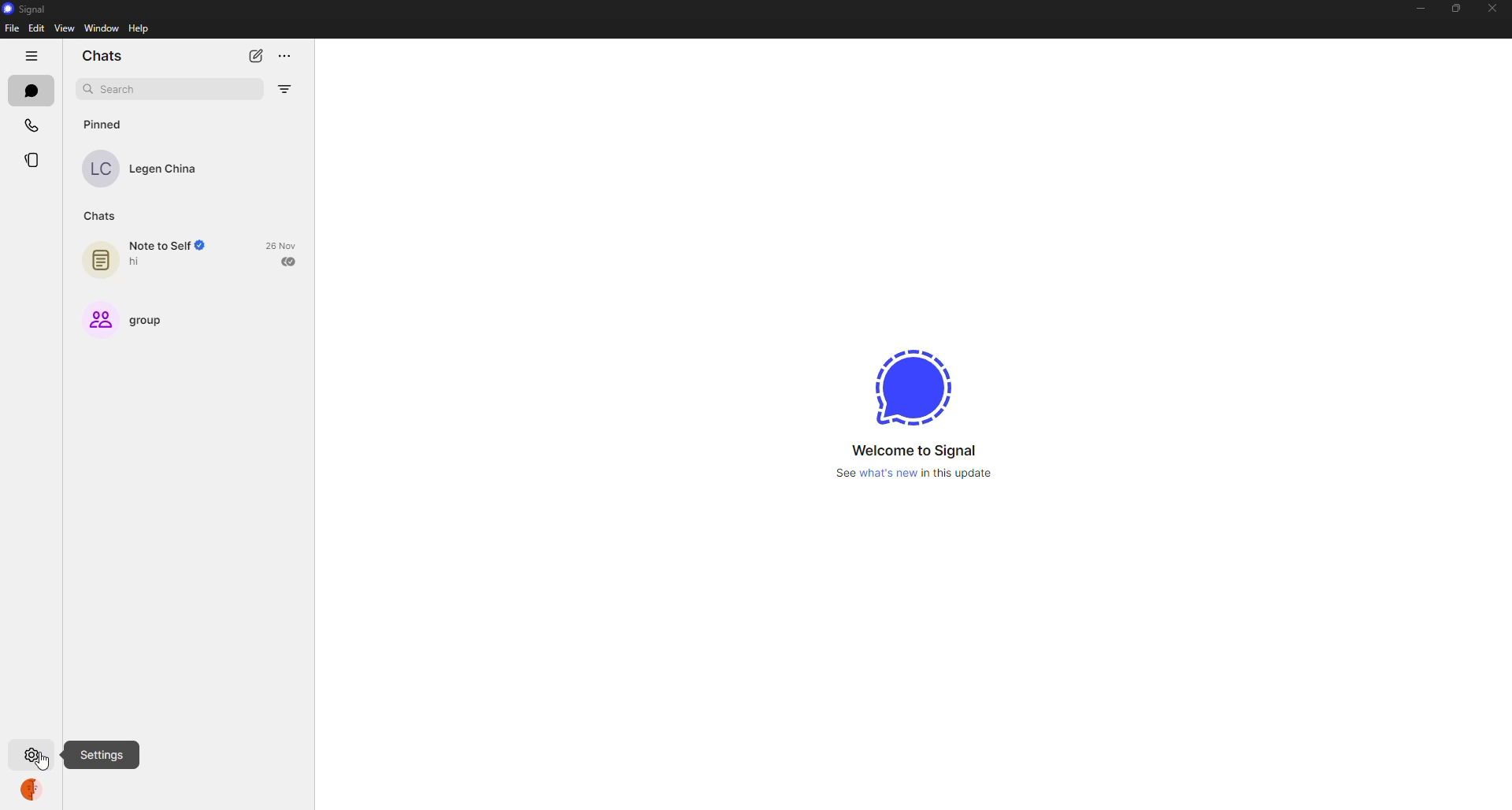 The image size is (1512, 810). I want to click on minimize, so click(1422, 8).